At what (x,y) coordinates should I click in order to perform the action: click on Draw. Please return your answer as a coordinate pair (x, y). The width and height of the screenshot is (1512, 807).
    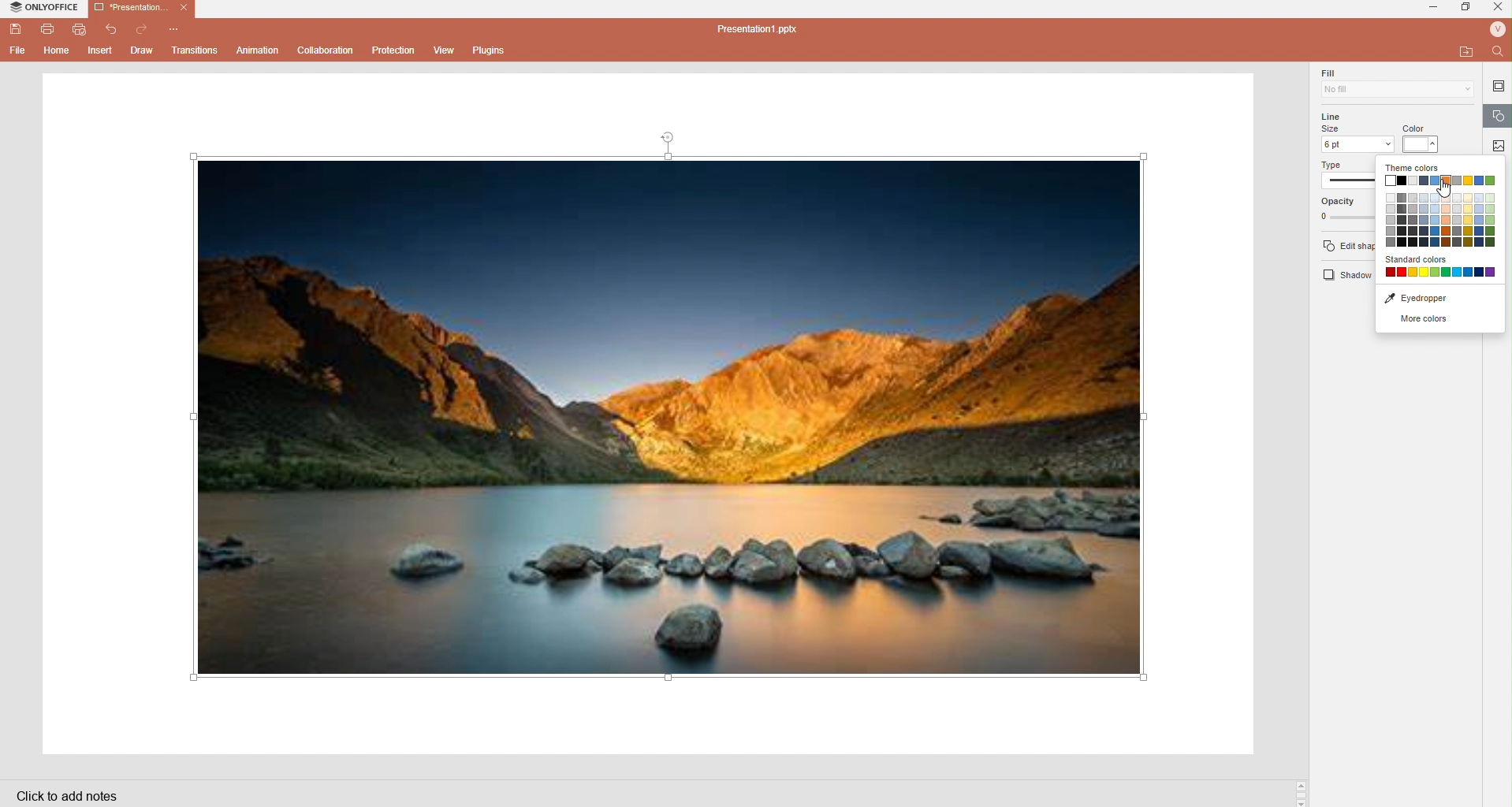
    Looking at the image, I should click on (143, 52).